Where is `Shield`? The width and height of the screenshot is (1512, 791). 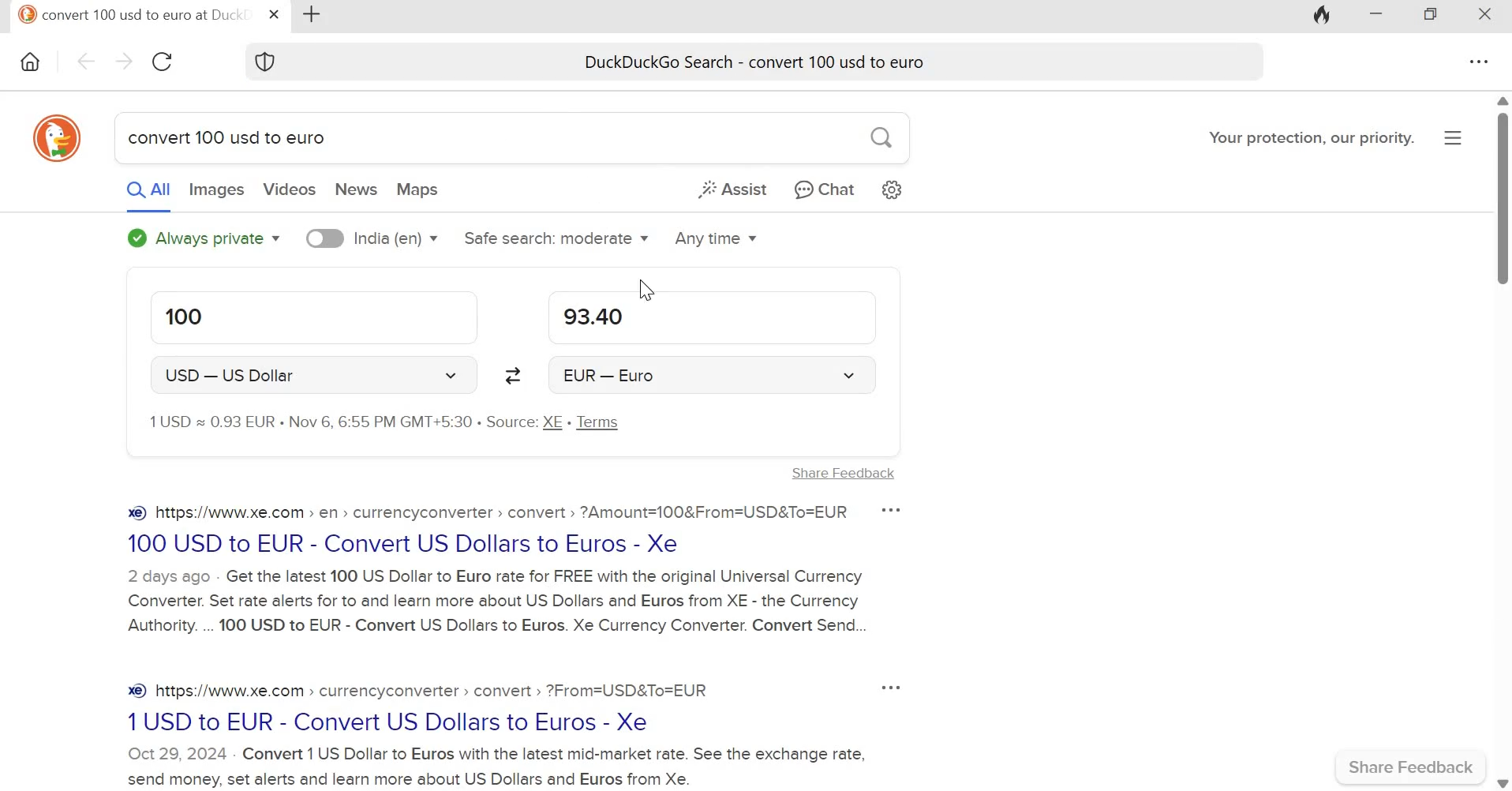 Shield is located at coordinates (268, 60).